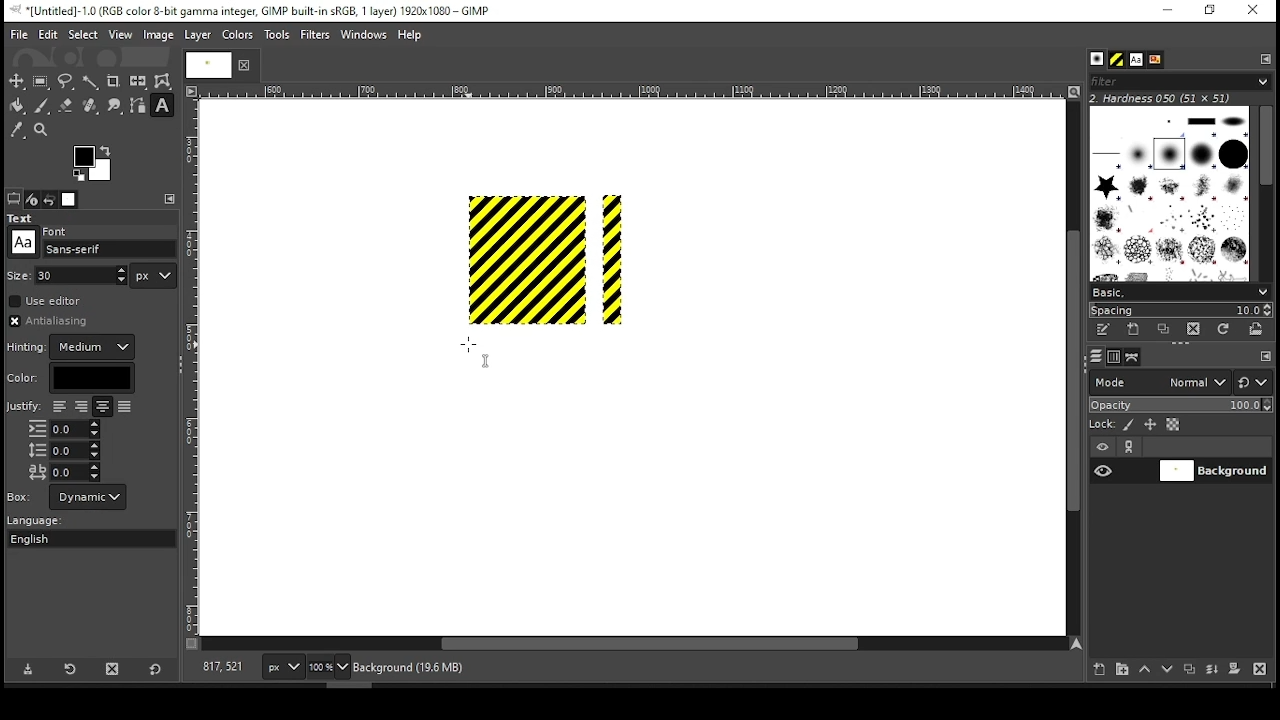  Describe the element at coordinates (51, 200) in the screenshot. I see `undo history` at that location.